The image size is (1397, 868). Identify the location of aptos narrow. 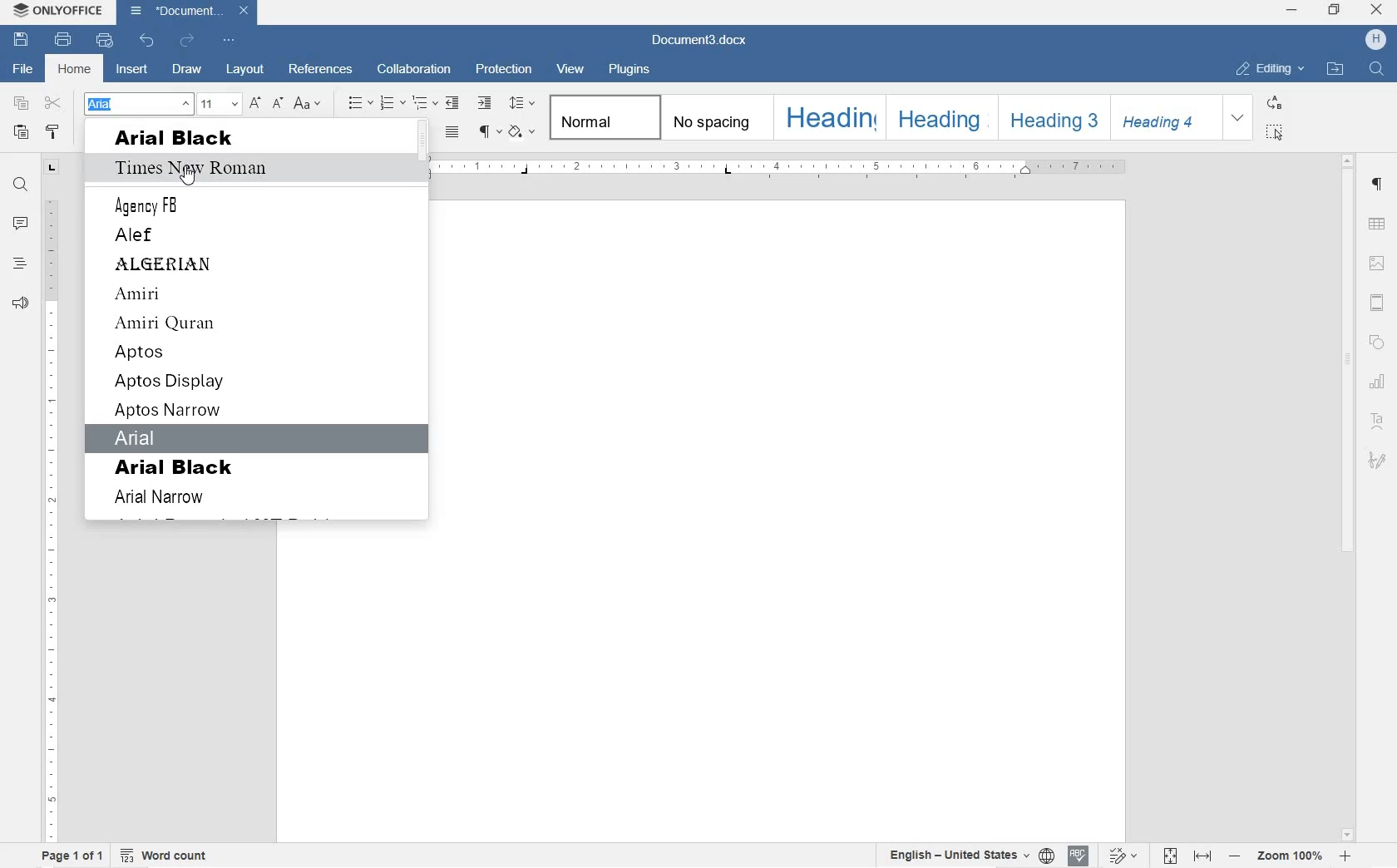
(175, 412).